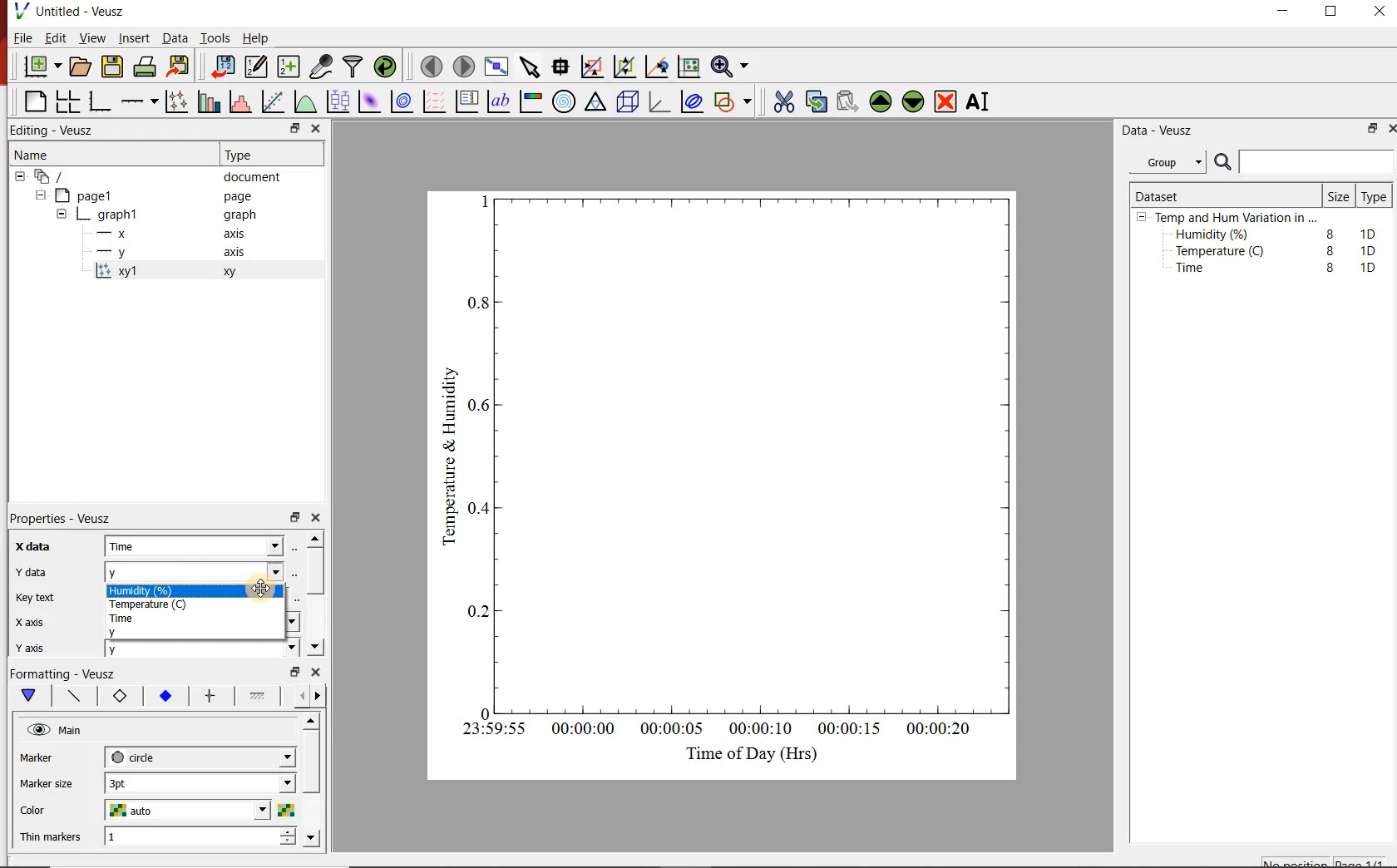 The image size is (1397, 868). Describe the element at coordinates (1223, 253) in the screenshot. I see `Temperature (C)` at that location.